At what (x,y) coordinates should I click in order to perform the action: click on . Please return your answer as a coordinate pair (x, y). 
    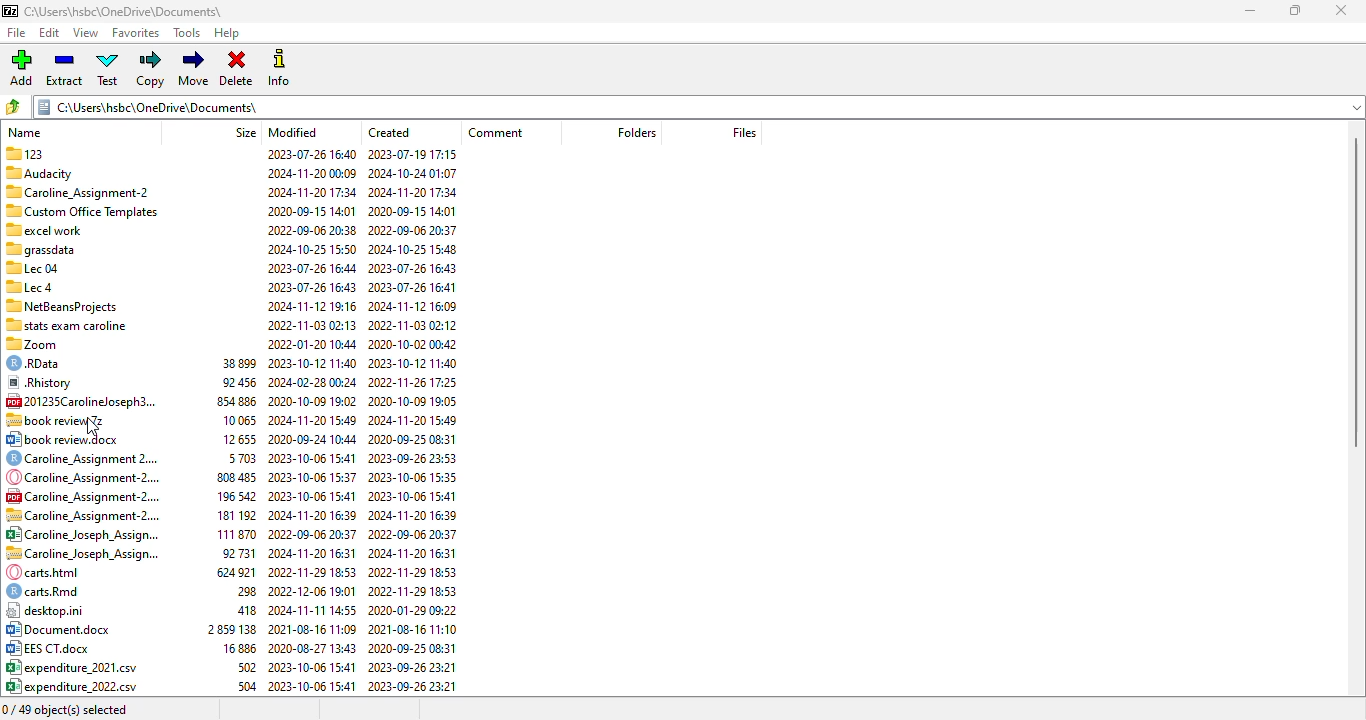
    Looking at the image, I should click on (39, 248).